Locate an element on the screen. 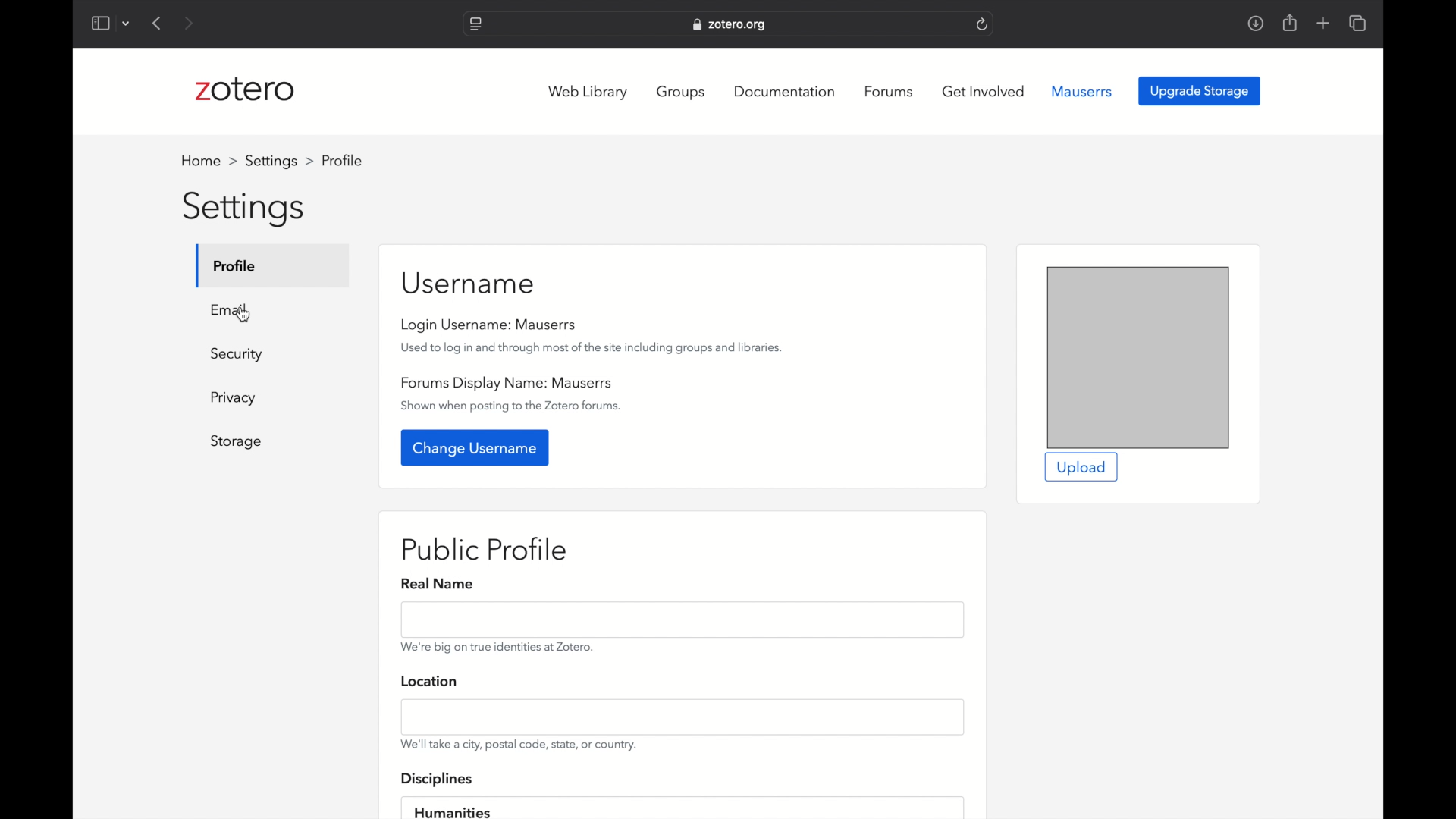 The image size is (1456, 819). refresh is located at coordinates (983, 24).